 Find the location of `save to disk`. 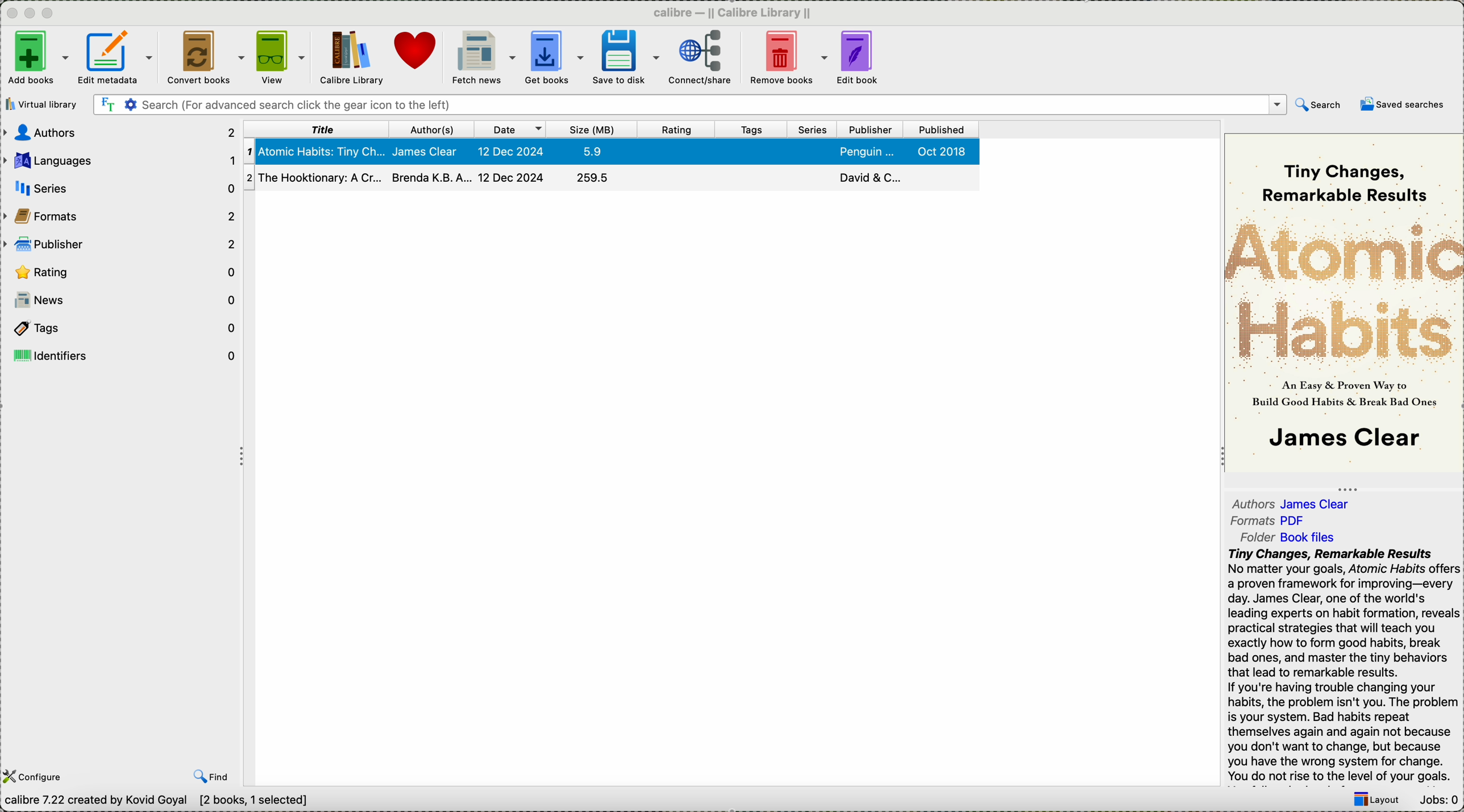

save to disk is located at coordinates (623, 57).